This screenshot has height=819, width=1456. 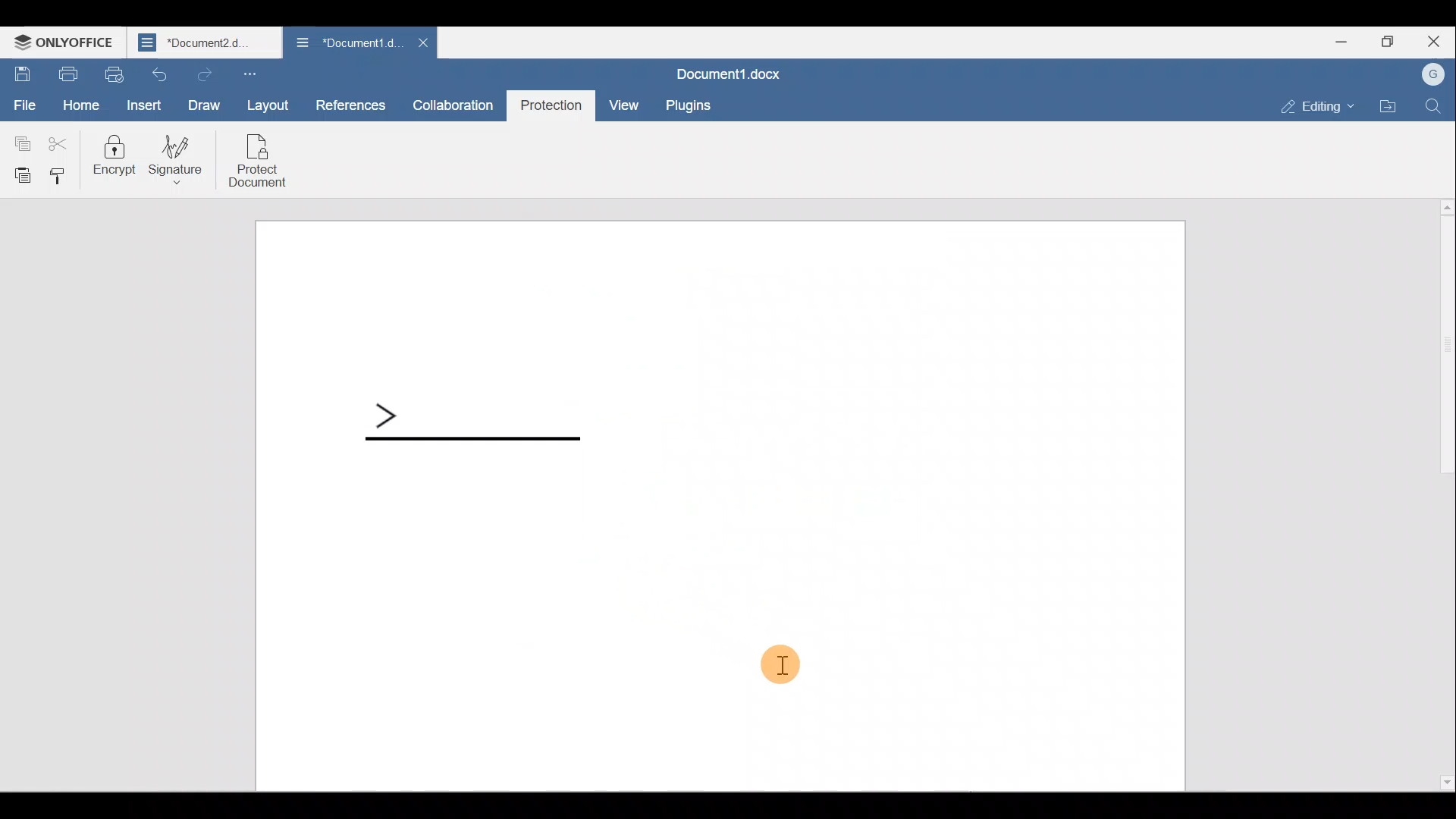 What do you see at coordinates (890, 504) in the screenshot?
I see `Working area` at bounding box center [890, 504].